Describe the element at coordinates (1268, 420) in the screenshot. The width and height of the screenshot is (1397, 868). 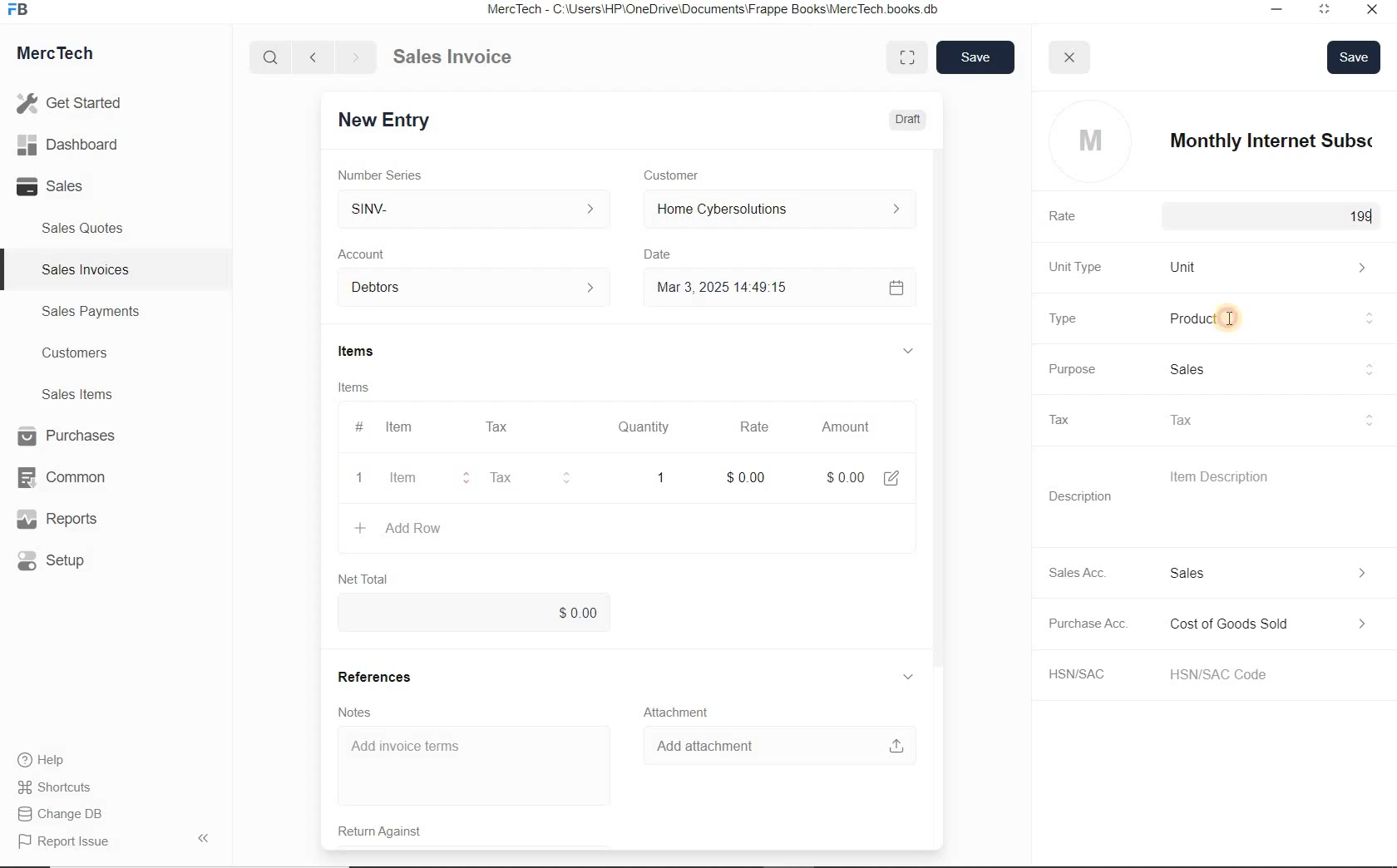
I see `Tax` at that location.